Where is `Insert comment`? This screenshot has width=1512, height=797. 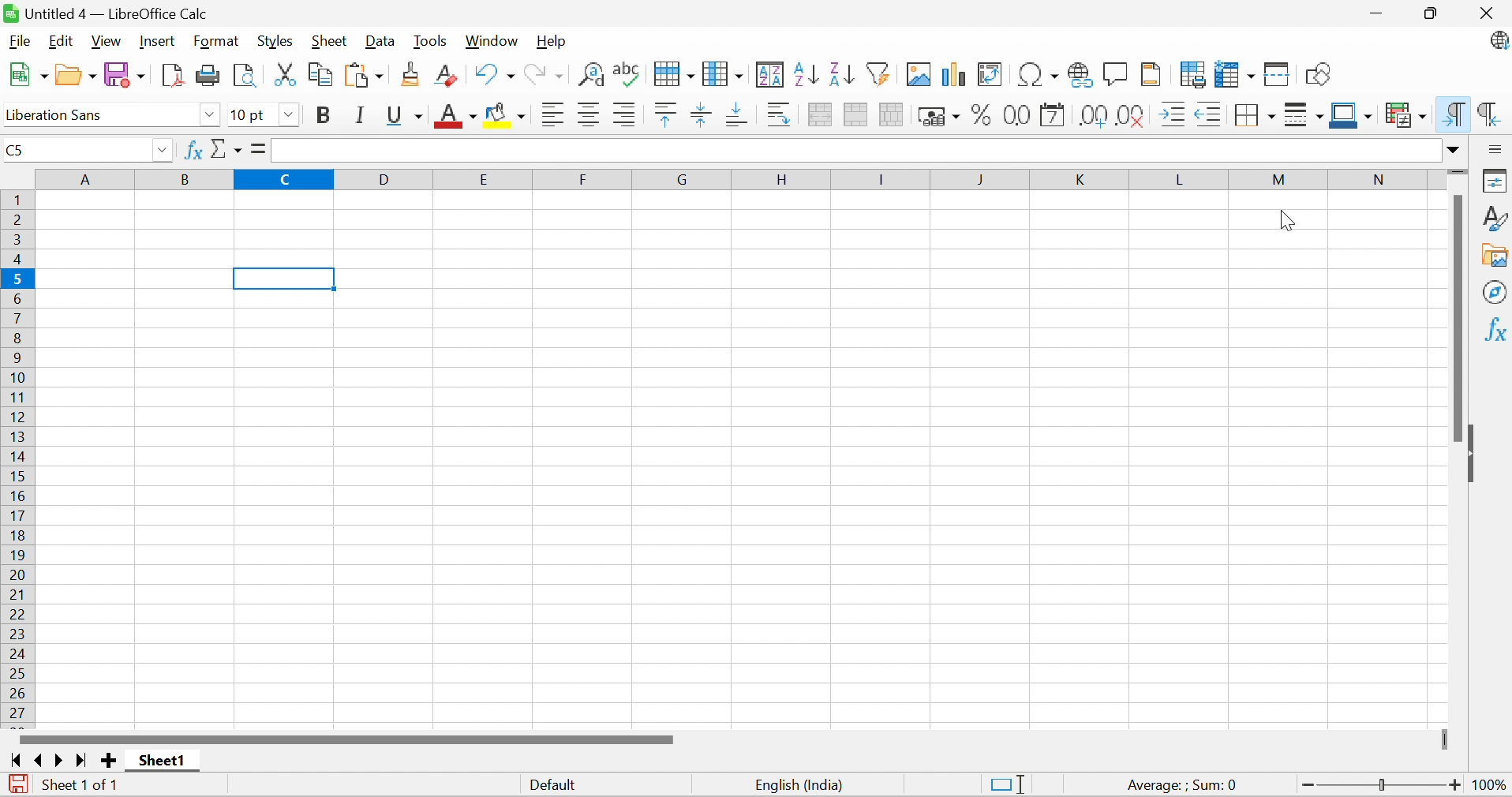
Insert comment is located at coordinates (1116, 75).